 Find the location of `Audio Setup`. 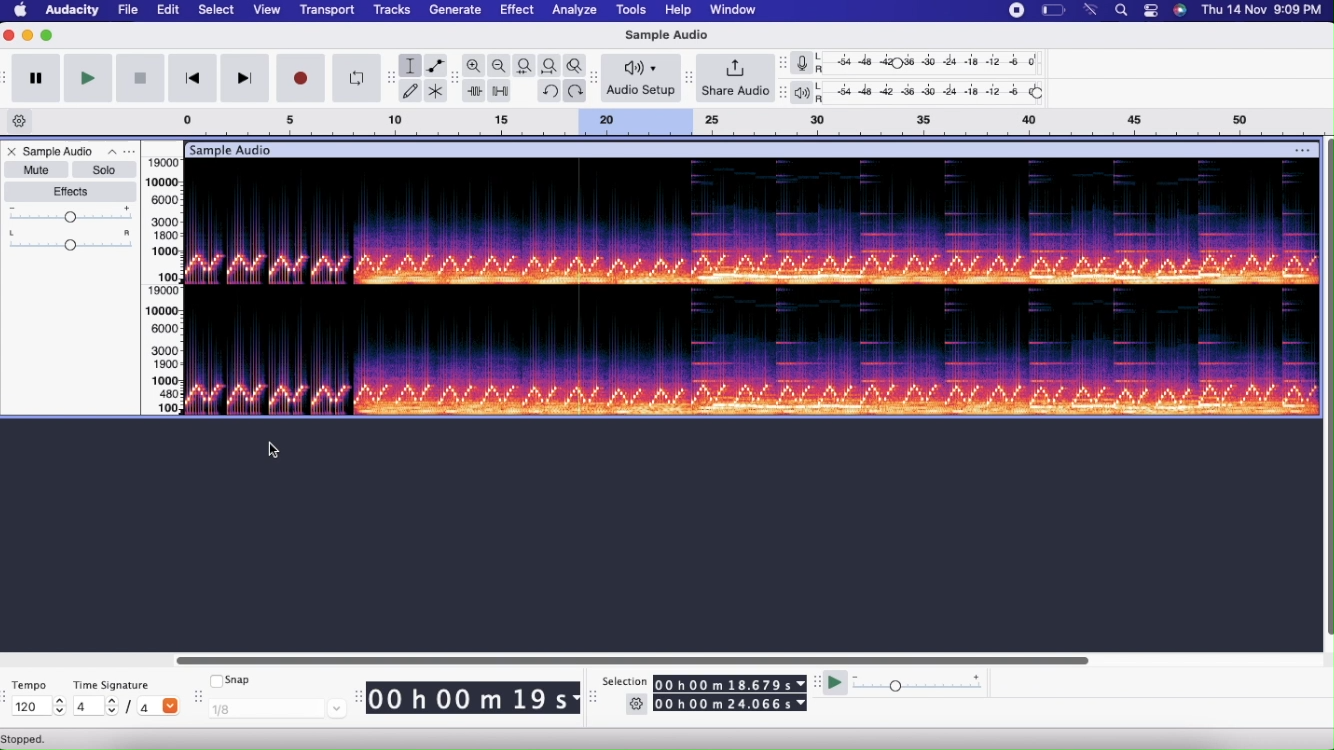

Audio Setup is located at coordinates (641, 80).